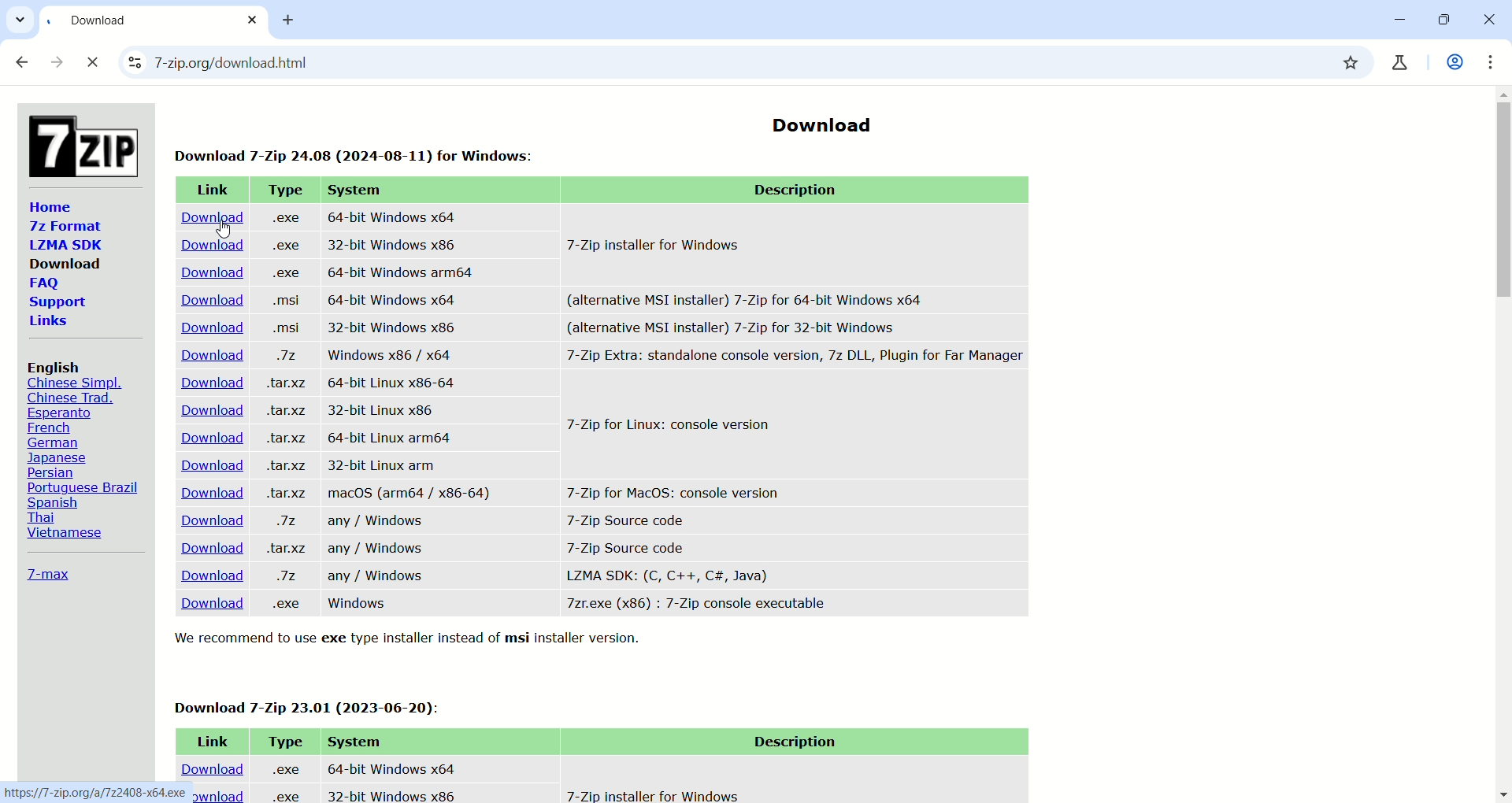  Describe the element at coordinates (209, 464) in the screenshot. I see `Download` at that location.